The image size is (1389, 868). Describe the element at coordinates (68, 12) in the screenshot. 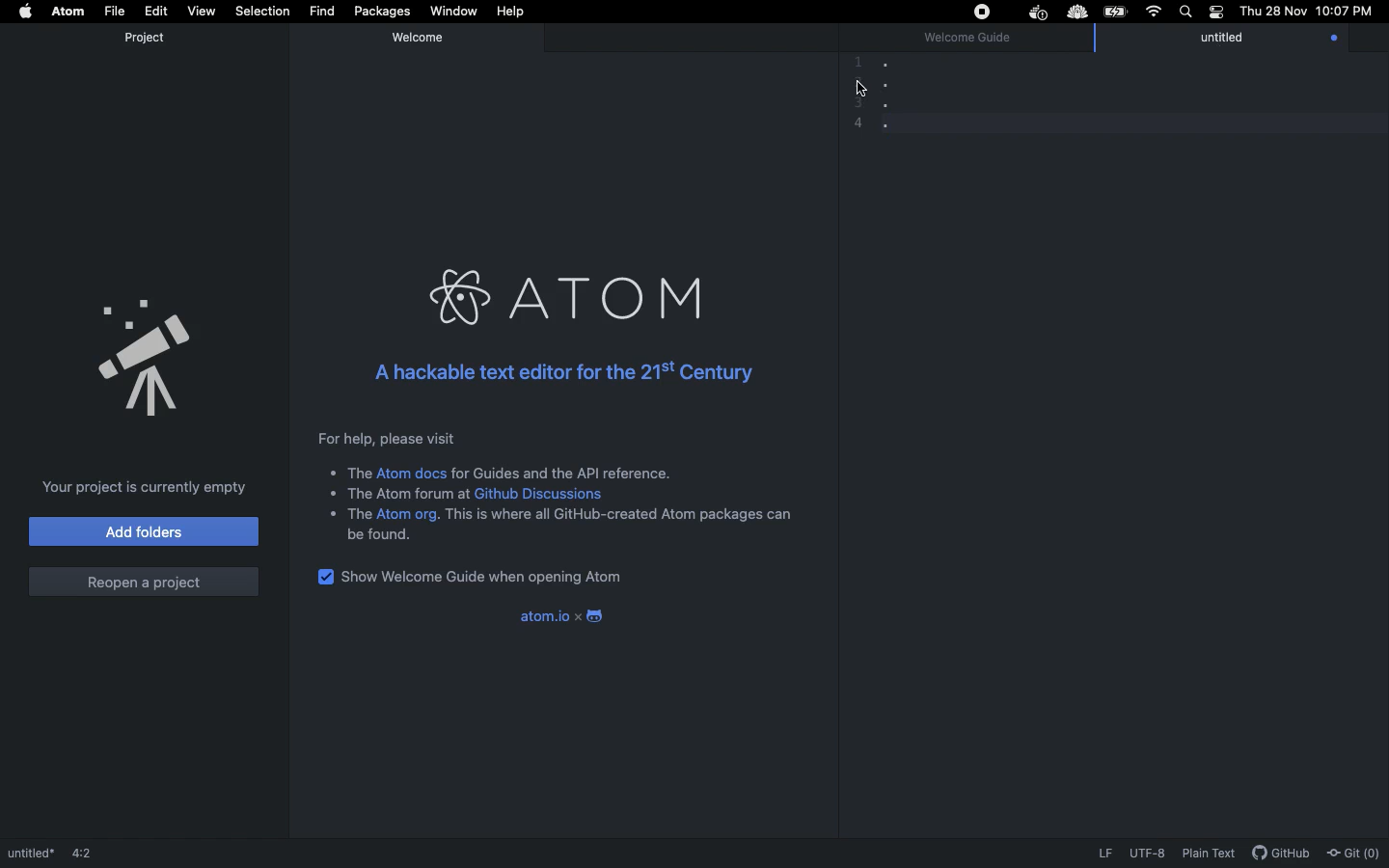

I see `Atom` at that location.